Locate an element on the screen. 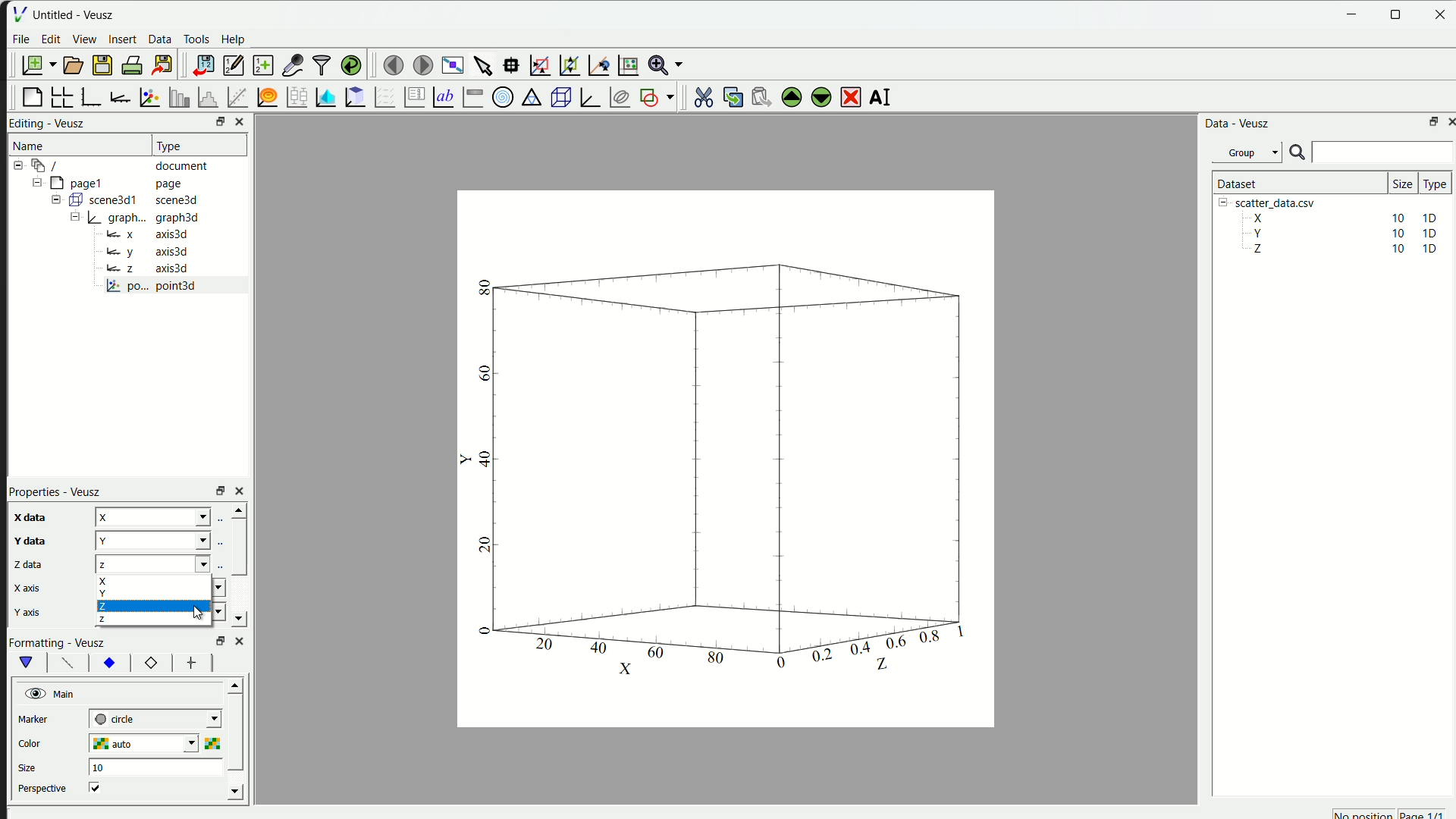  open a document is located at coordinates (72, 64).